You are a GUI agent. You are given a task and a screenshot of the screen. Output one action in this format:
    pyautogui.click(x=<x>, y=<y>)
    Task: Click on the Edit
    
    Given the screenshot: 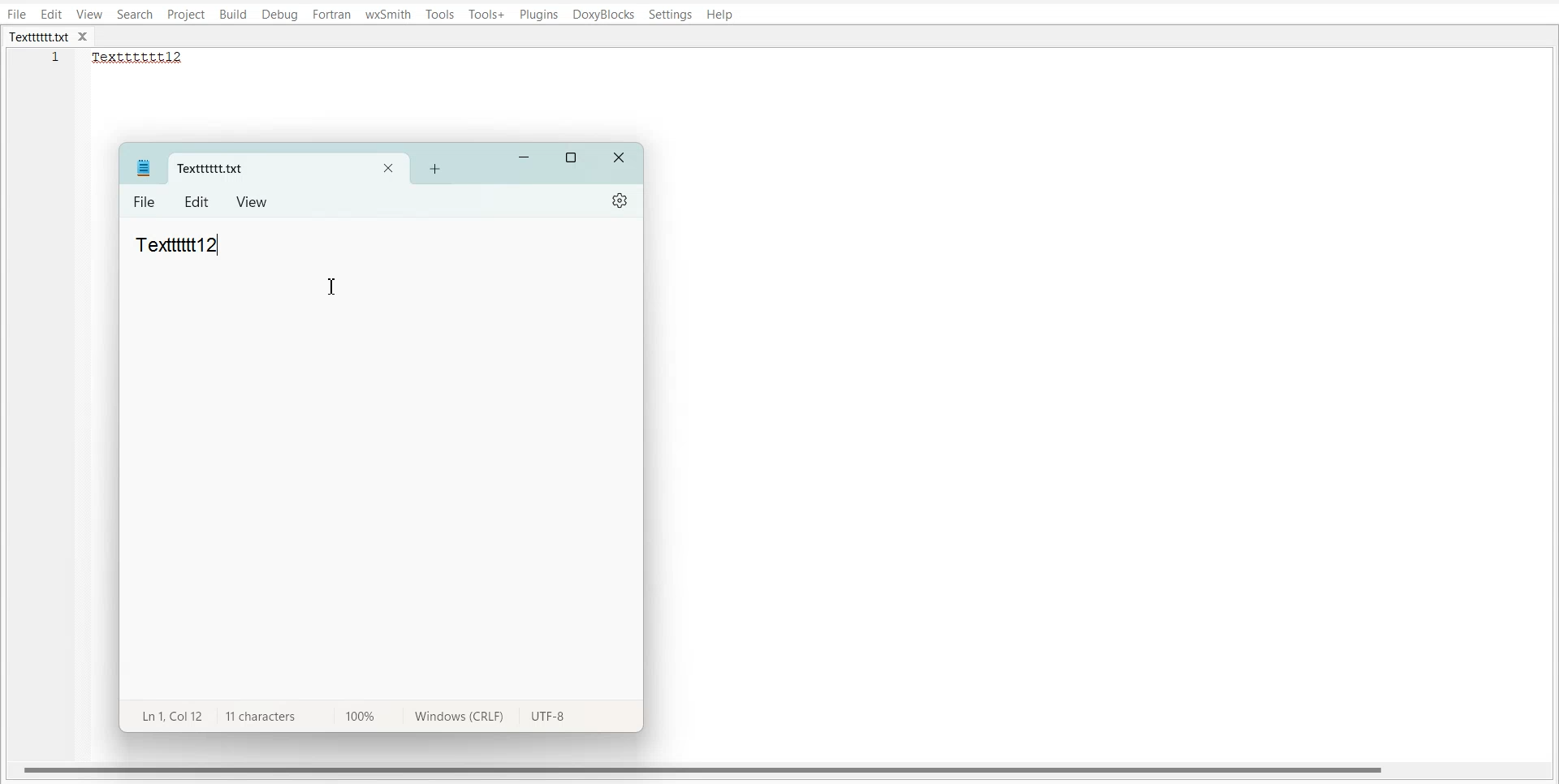 What is the action you would take?
    pyautogui.click(x=51, y=14)
    